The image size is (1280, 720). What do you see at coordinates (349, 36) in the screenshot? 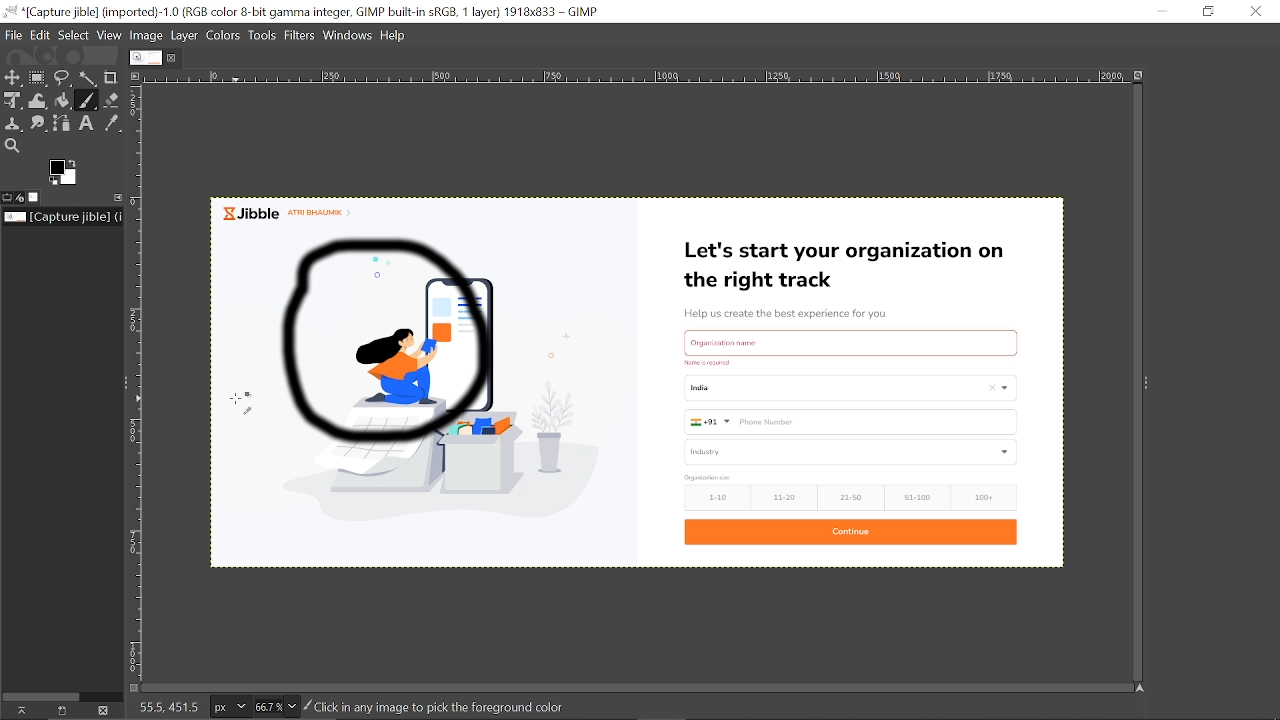
I see `Windows` at bounding box center [349, 36].